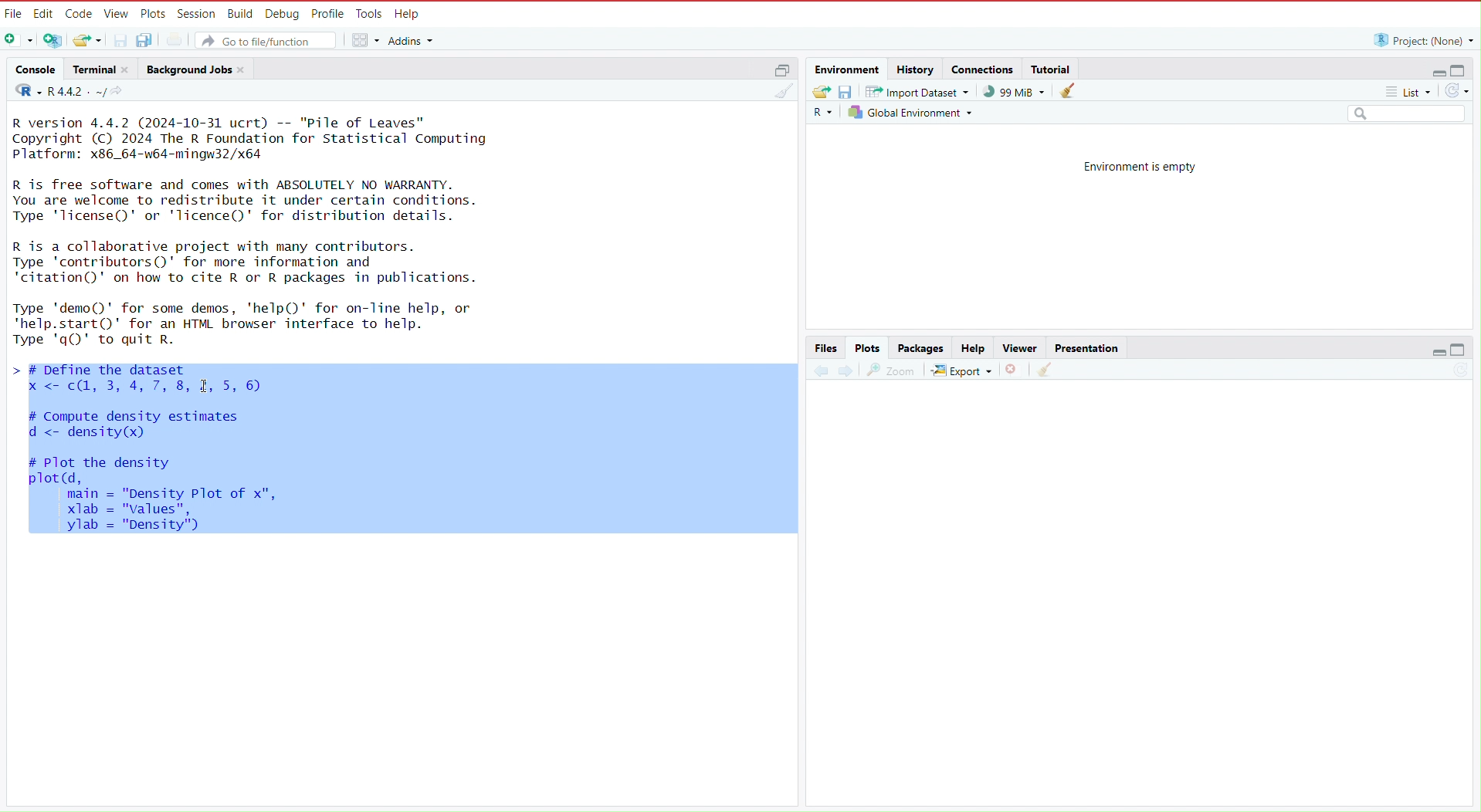 The width and height of the screenshot is (1481, 812). Describe the element at coordinates (31, 67) in the screenshot. I see `console` at that location.